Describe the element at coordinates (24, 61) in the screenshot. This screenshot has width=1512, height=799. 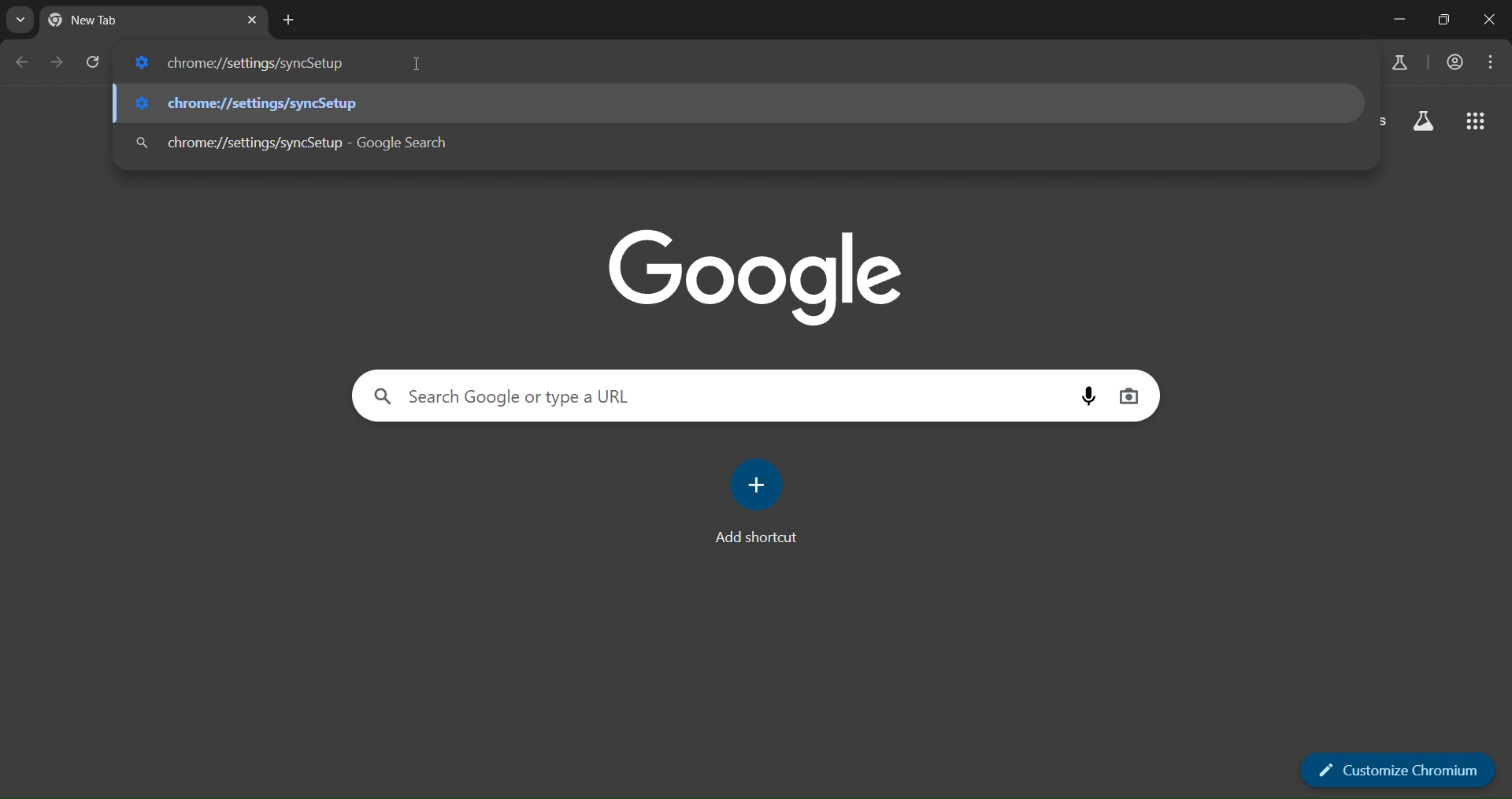
I see `go back one page` at that location.